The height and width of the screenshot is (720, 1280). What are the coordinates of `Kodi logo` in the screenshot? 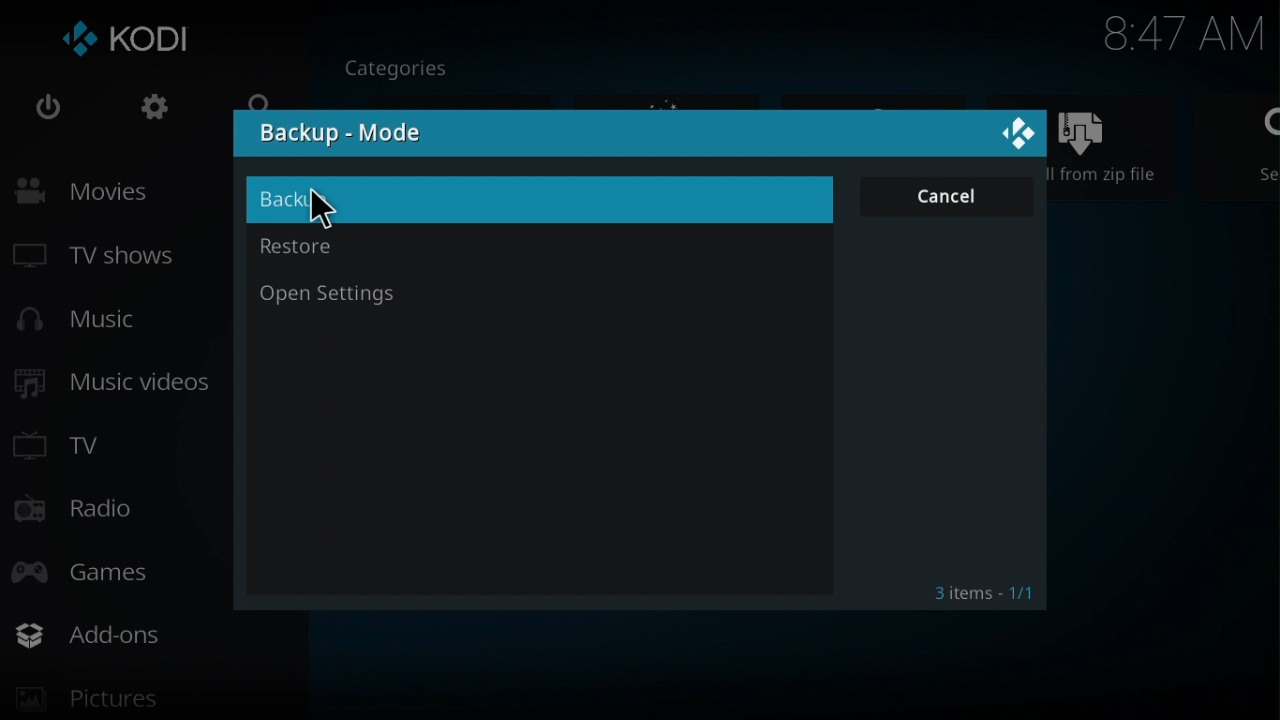 It's located at (129, 42).